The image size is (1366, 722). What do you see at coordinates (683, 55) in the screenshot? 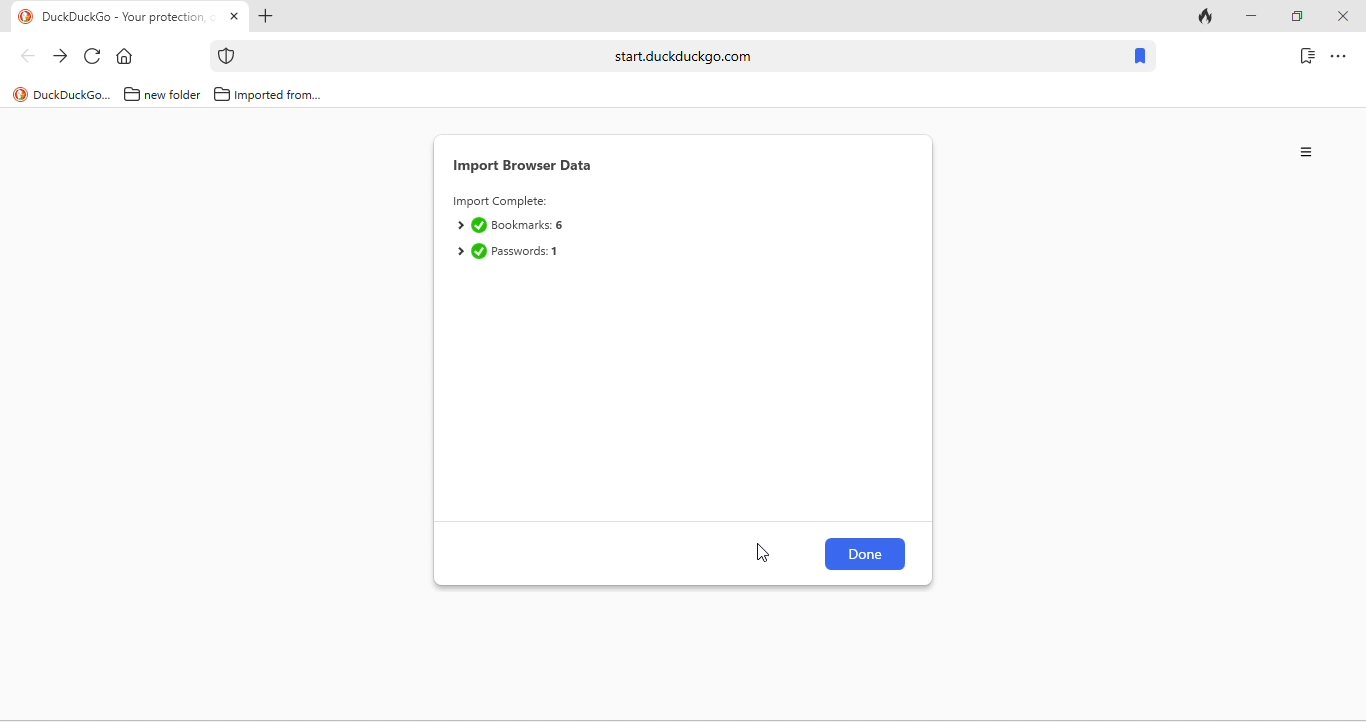
I see `start.duckduckgo.com` at bounding box center [683, 55].